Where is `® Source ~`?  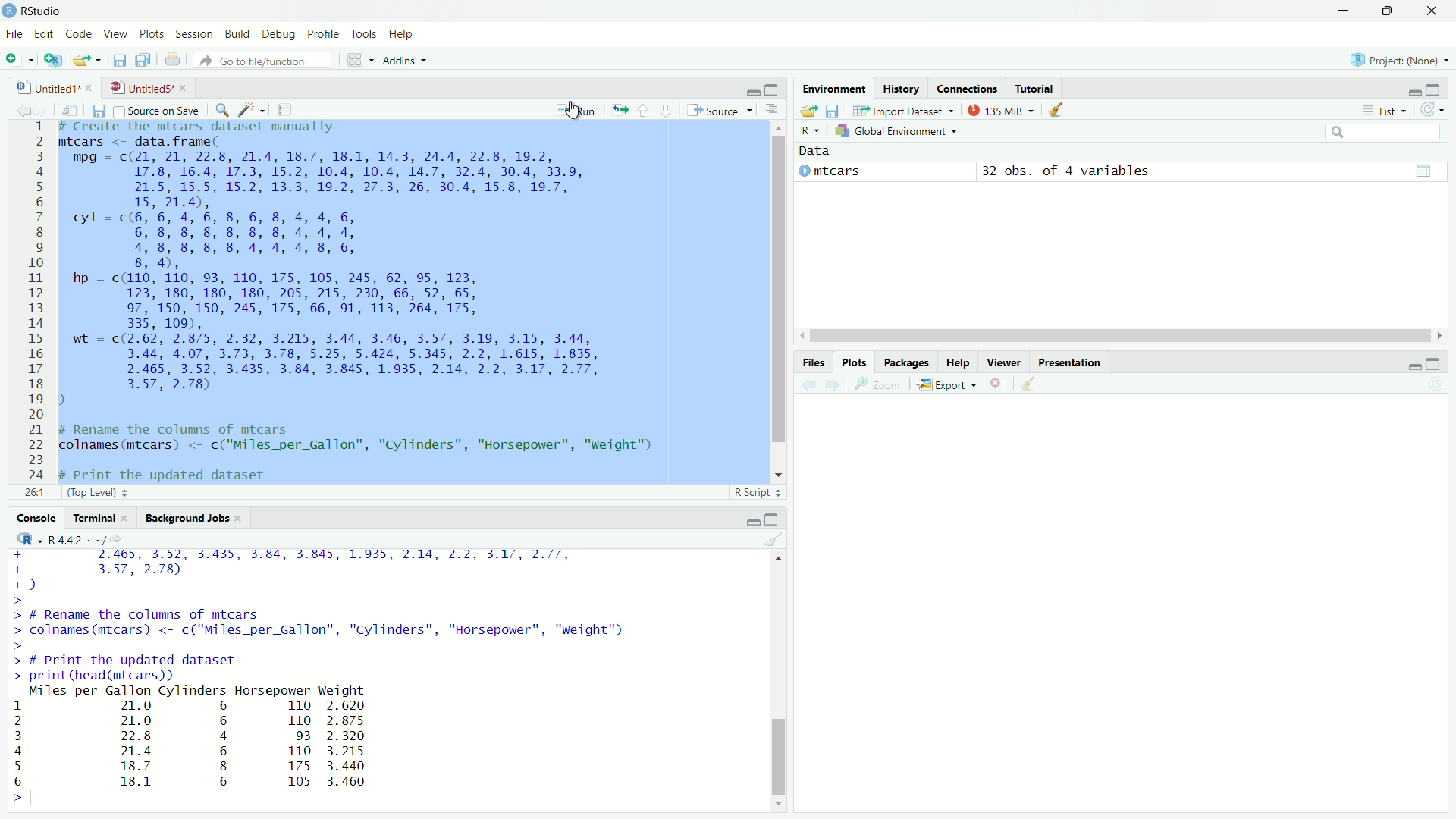 ® Source ~ is located at coordinates (723, 109).